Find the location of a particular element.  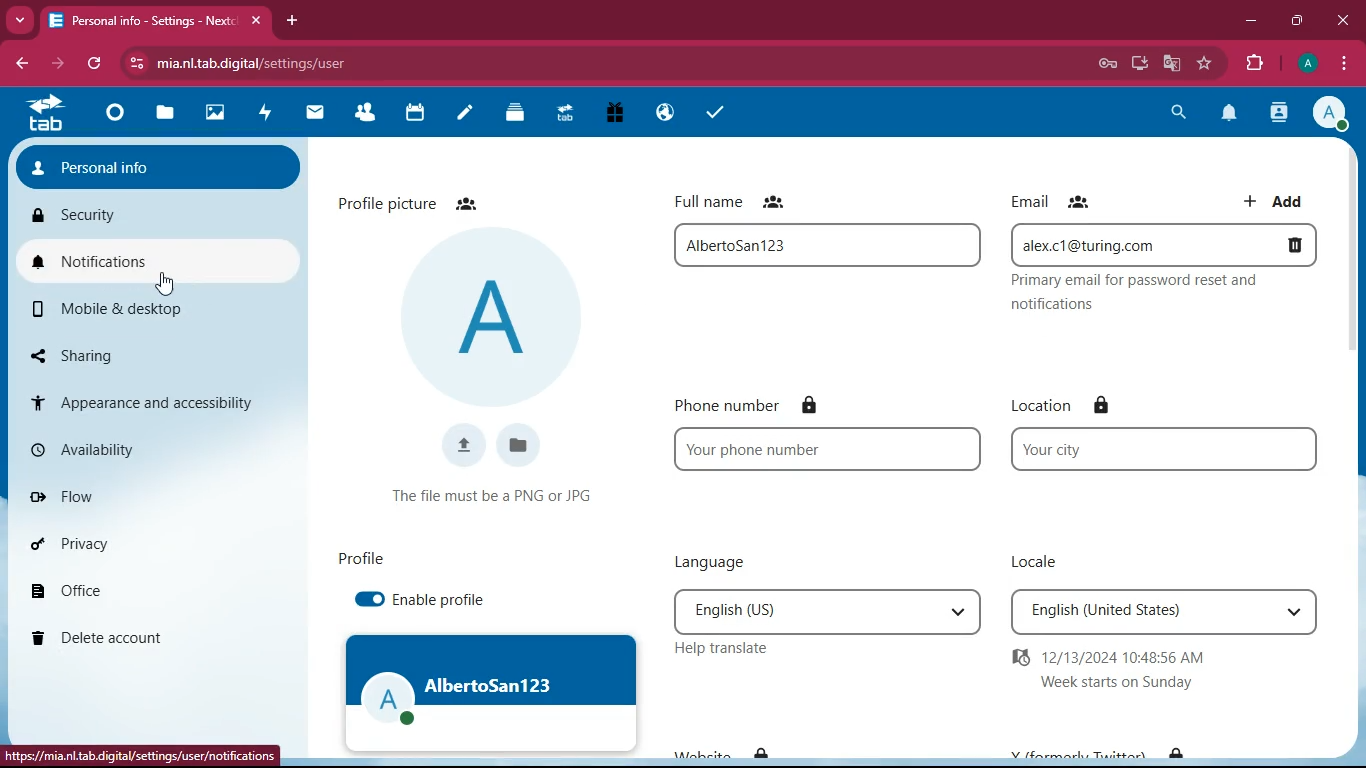

install app is located at coordinates (1139, 63).